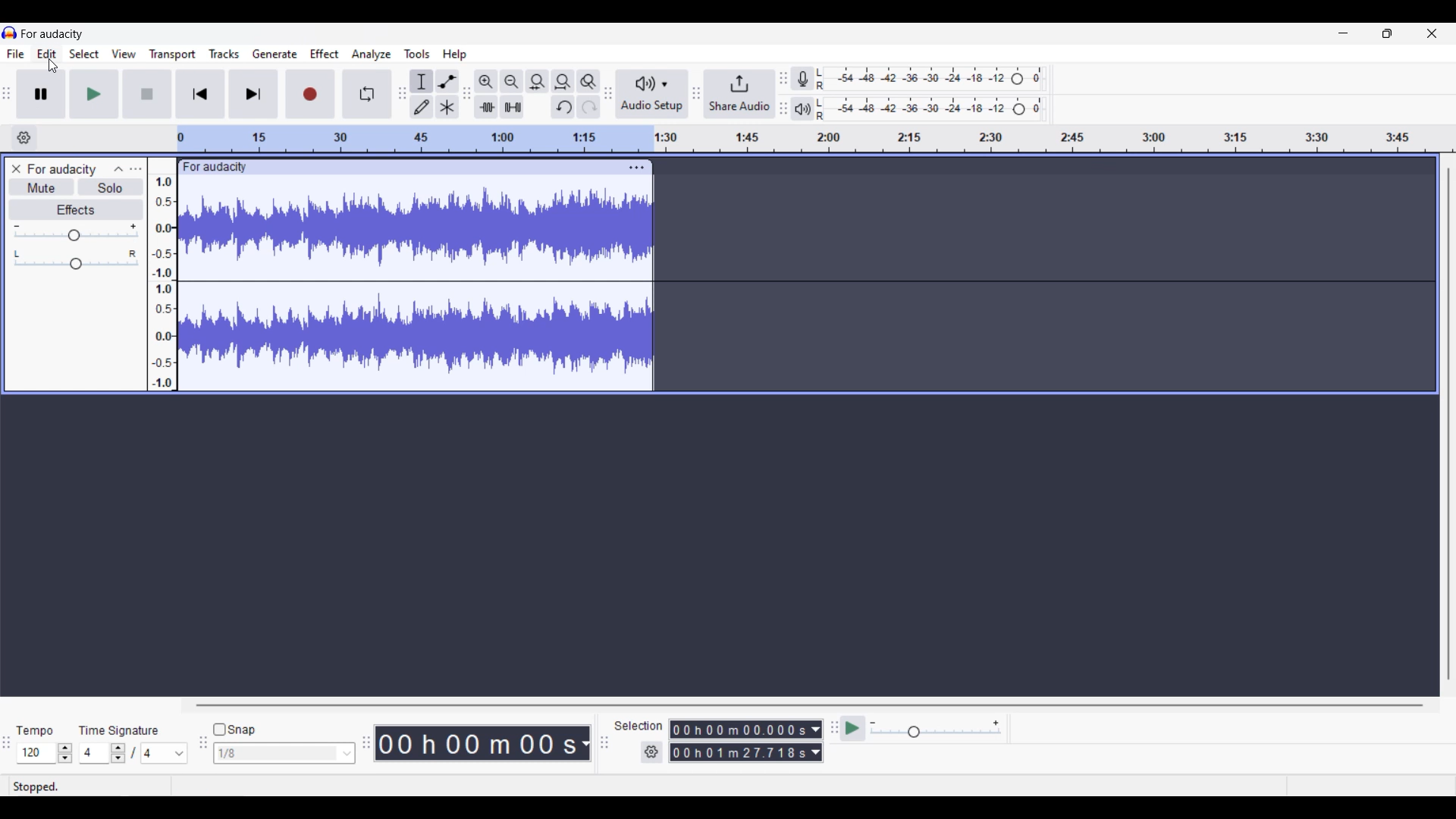 The height and width of the screenshot is (819, 1456). I want to click on Zoom in, so click(486, 82).